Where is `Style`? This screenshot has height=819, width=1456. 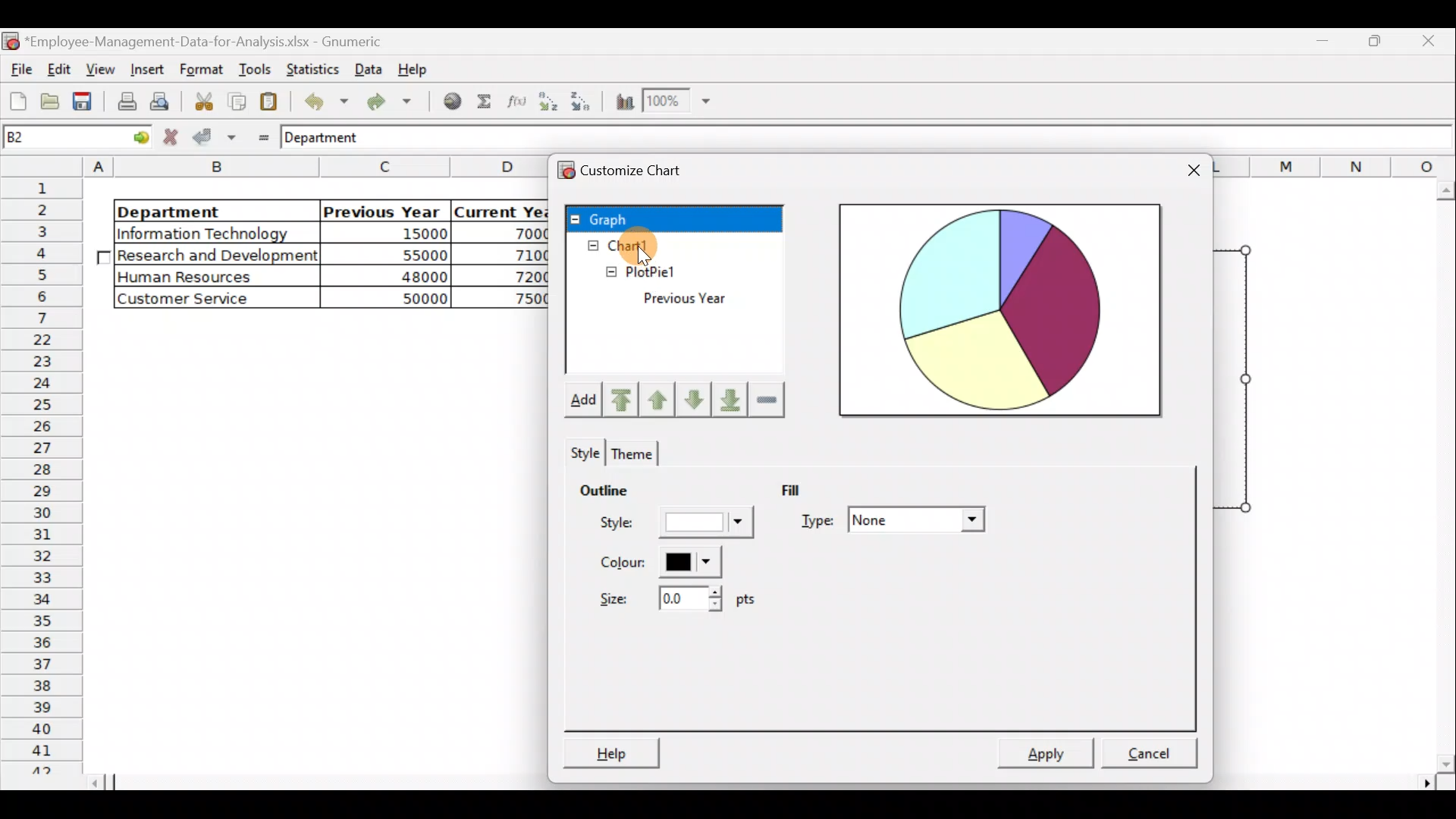
Style is located at coordinates (670, 521).